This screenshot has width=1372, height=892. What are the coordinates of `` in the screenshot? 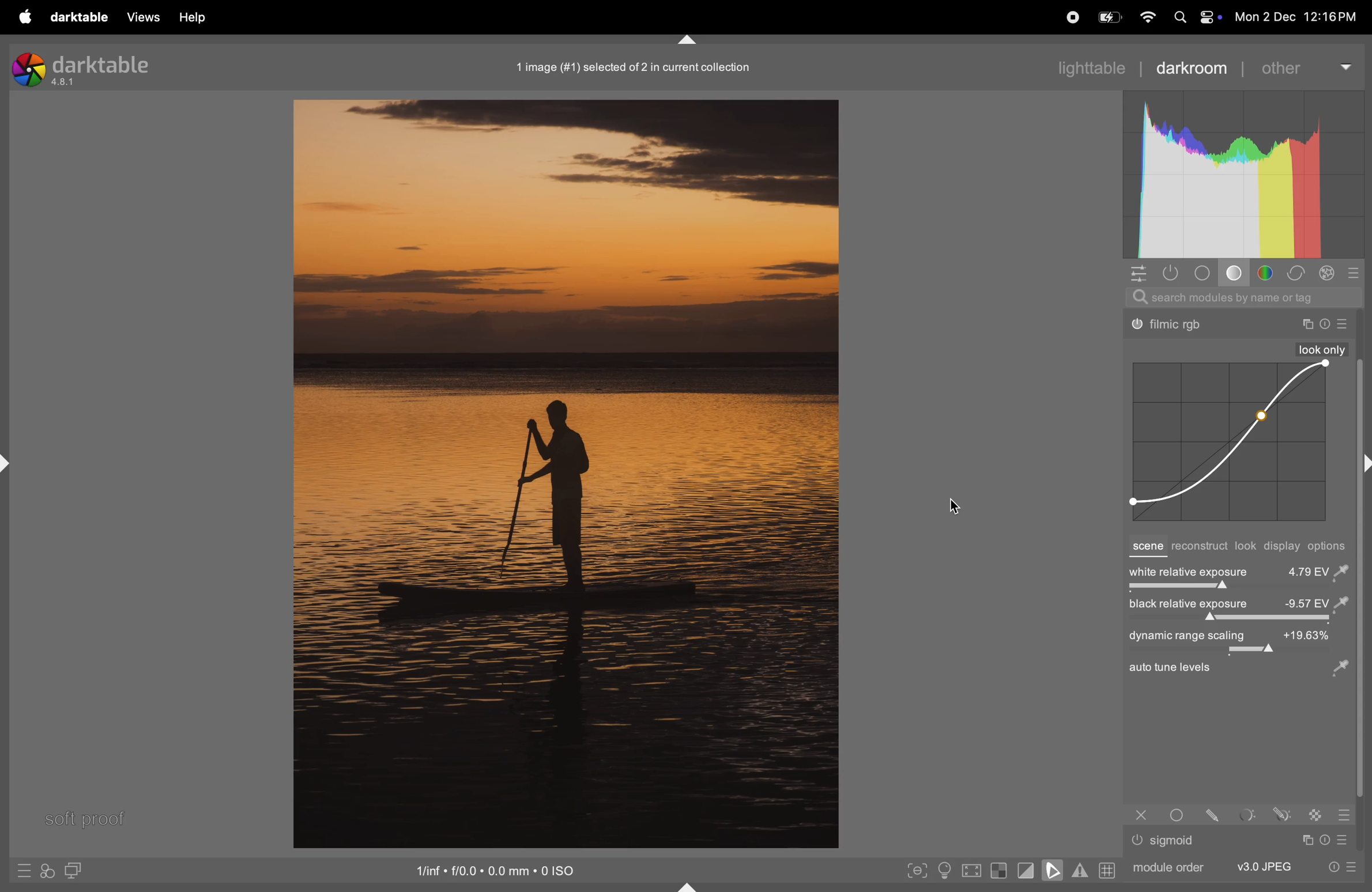 It's located at (1306, 840).